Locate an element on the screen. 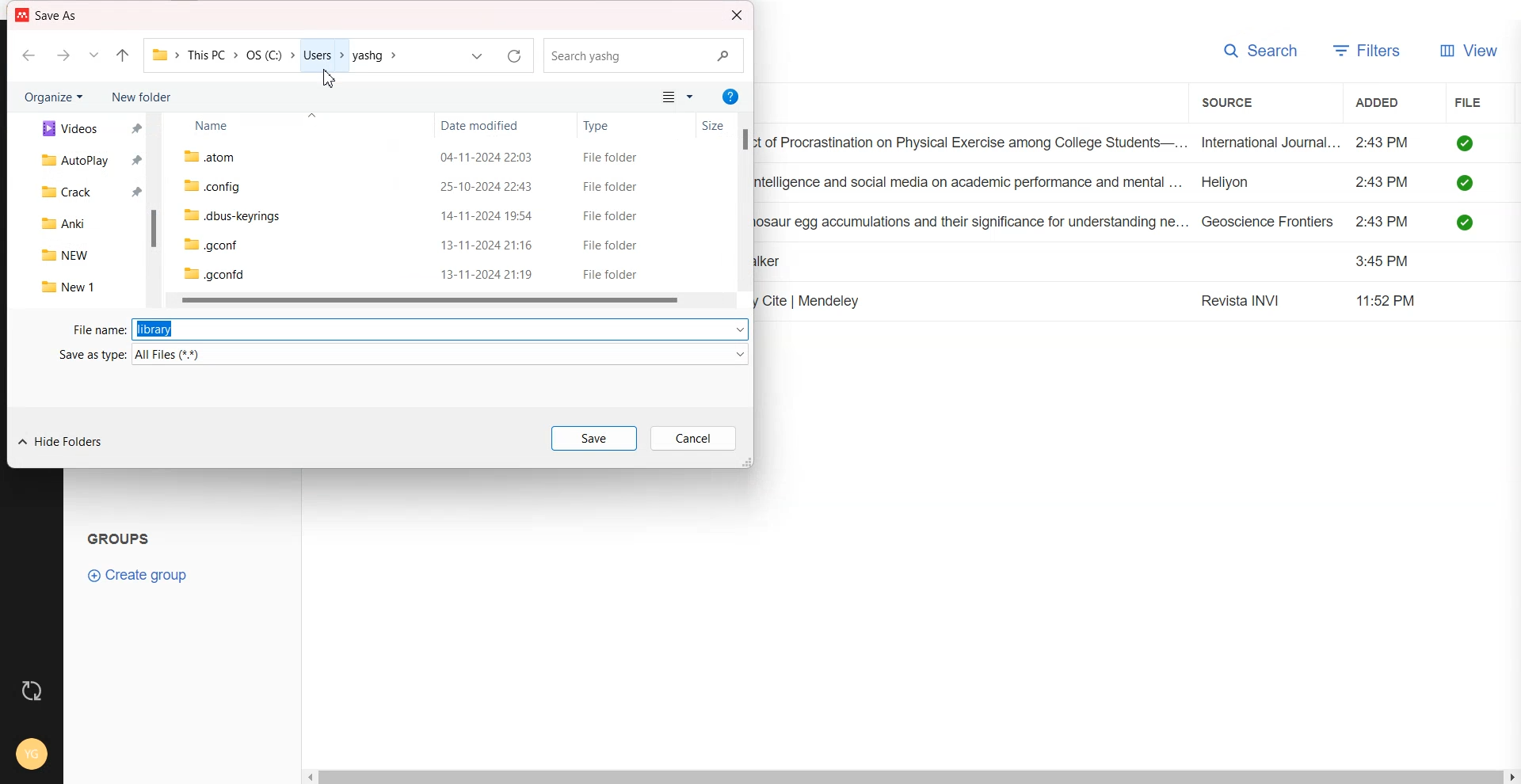  Go back is located at coordinates (27, 56).